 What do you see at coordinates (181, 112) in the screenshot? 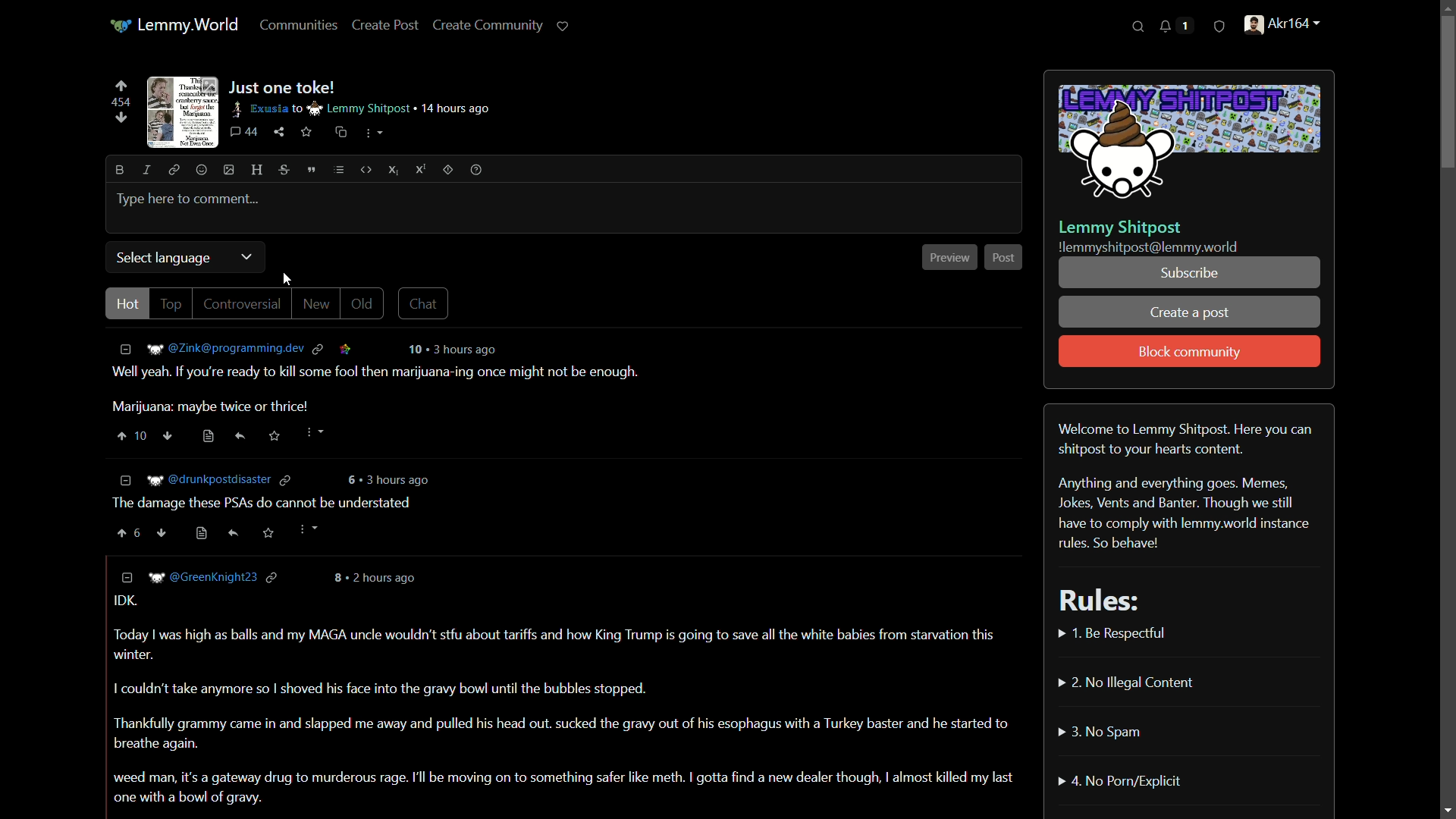
I see `thumbnail` at bounding box center [181, 112].